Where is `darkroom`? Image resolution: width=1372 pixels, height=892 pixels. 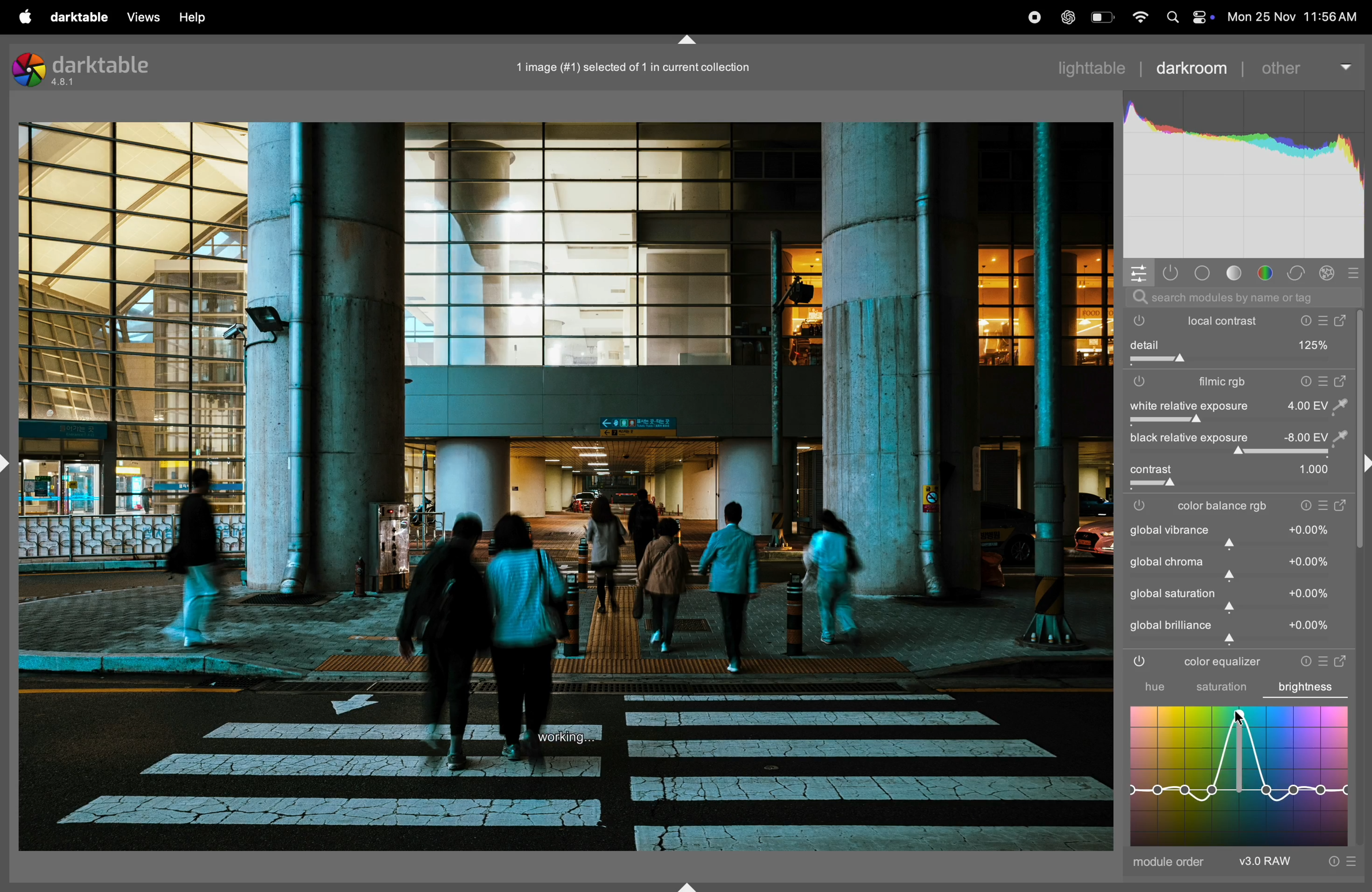
darkroom is located at coordinates (1192, 66).